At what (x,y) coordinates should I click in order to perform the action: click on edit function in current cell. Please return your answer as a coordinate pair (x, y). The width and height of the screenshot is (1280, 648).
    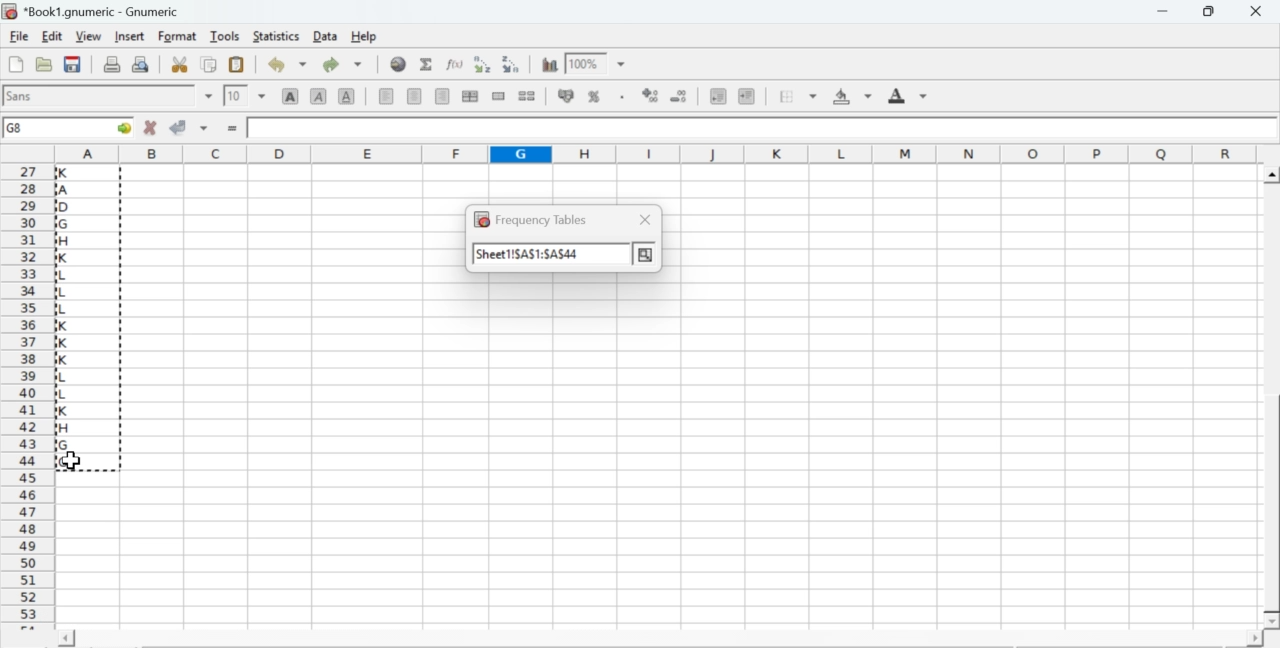
    Looking at the image, I should click on (456, 63).